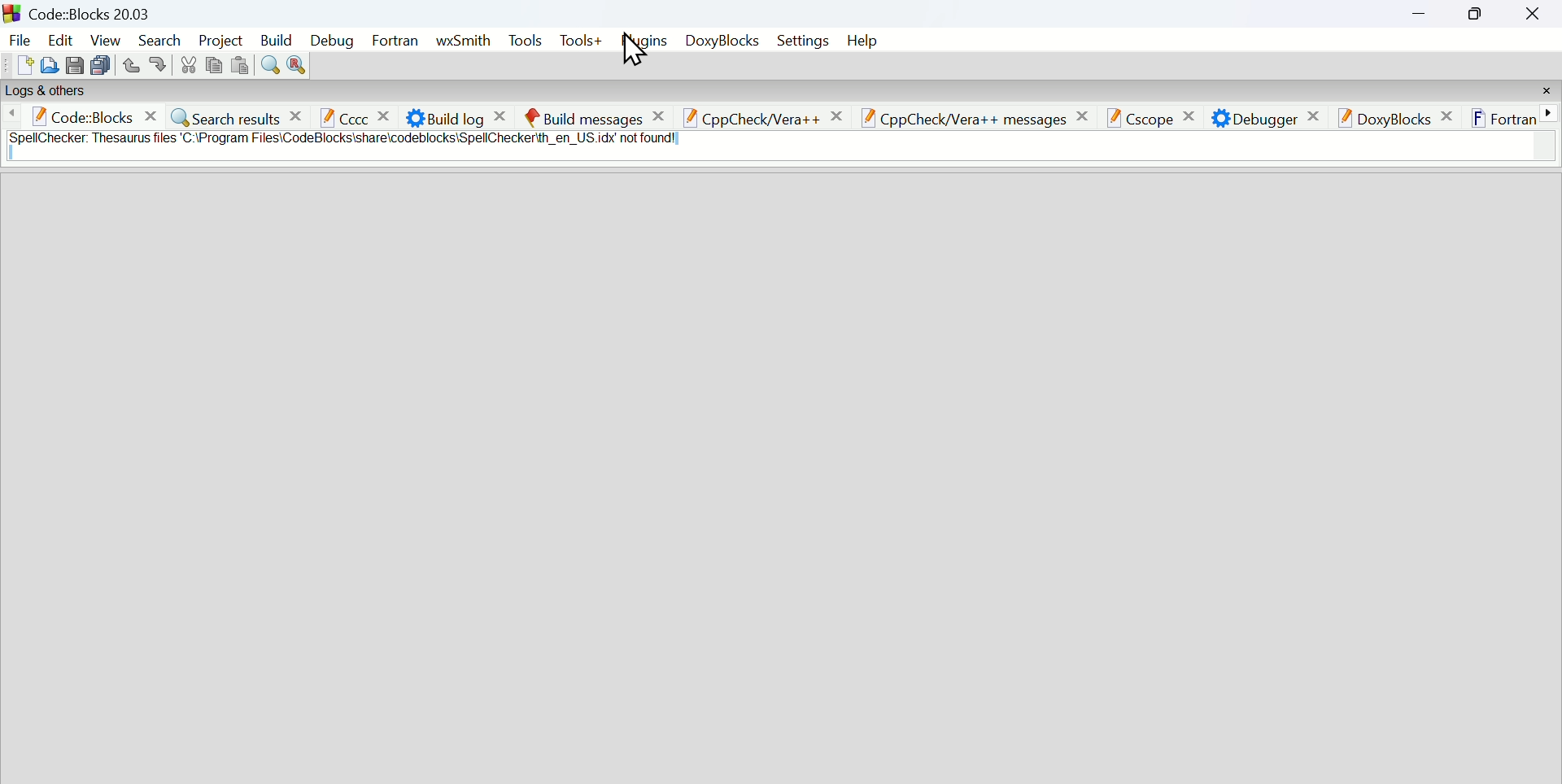  I want to click on Icon, so click(13, 12).